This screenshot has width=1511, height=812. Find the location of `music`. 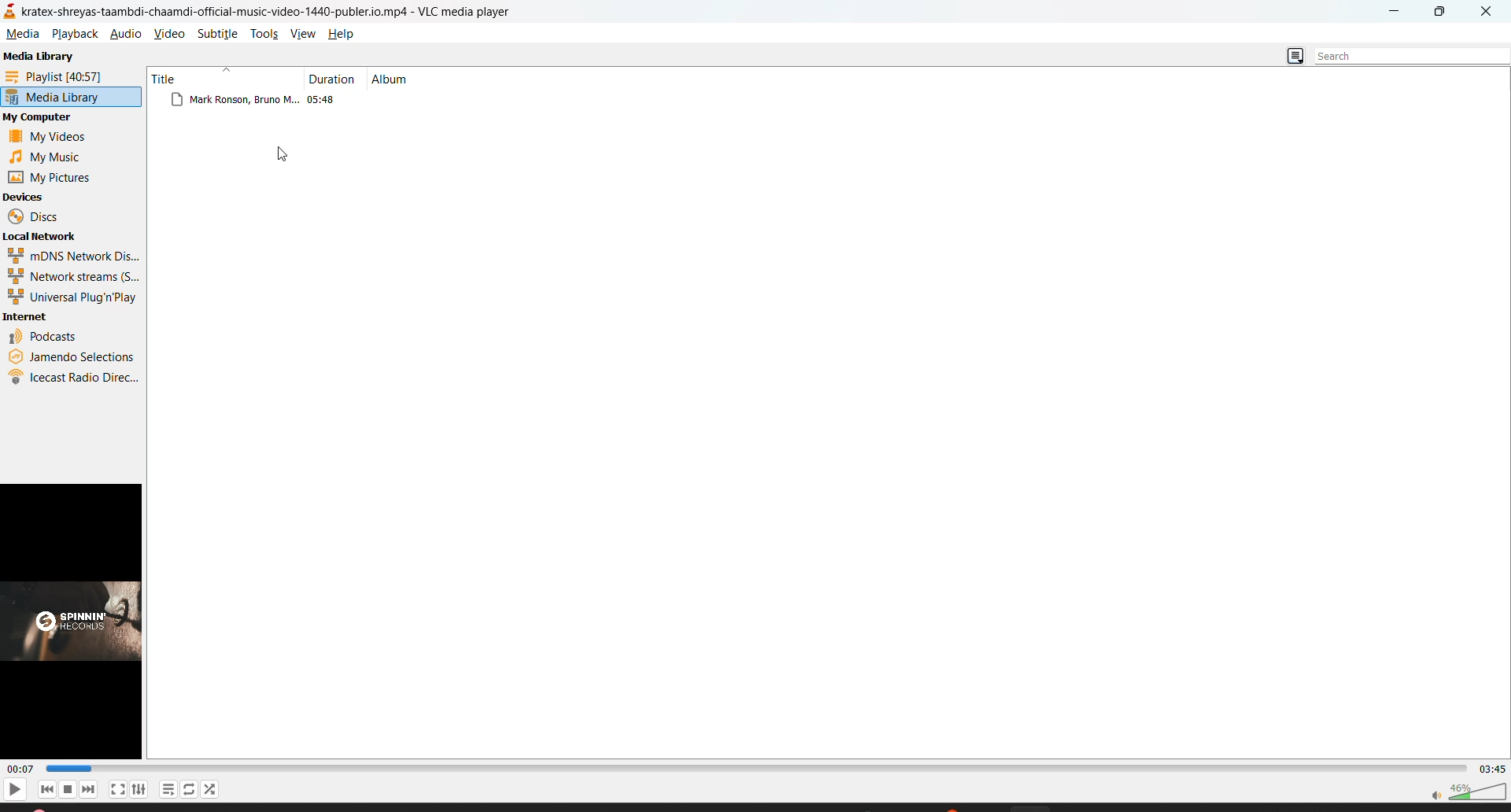

music is located at coordinates (51, 157).